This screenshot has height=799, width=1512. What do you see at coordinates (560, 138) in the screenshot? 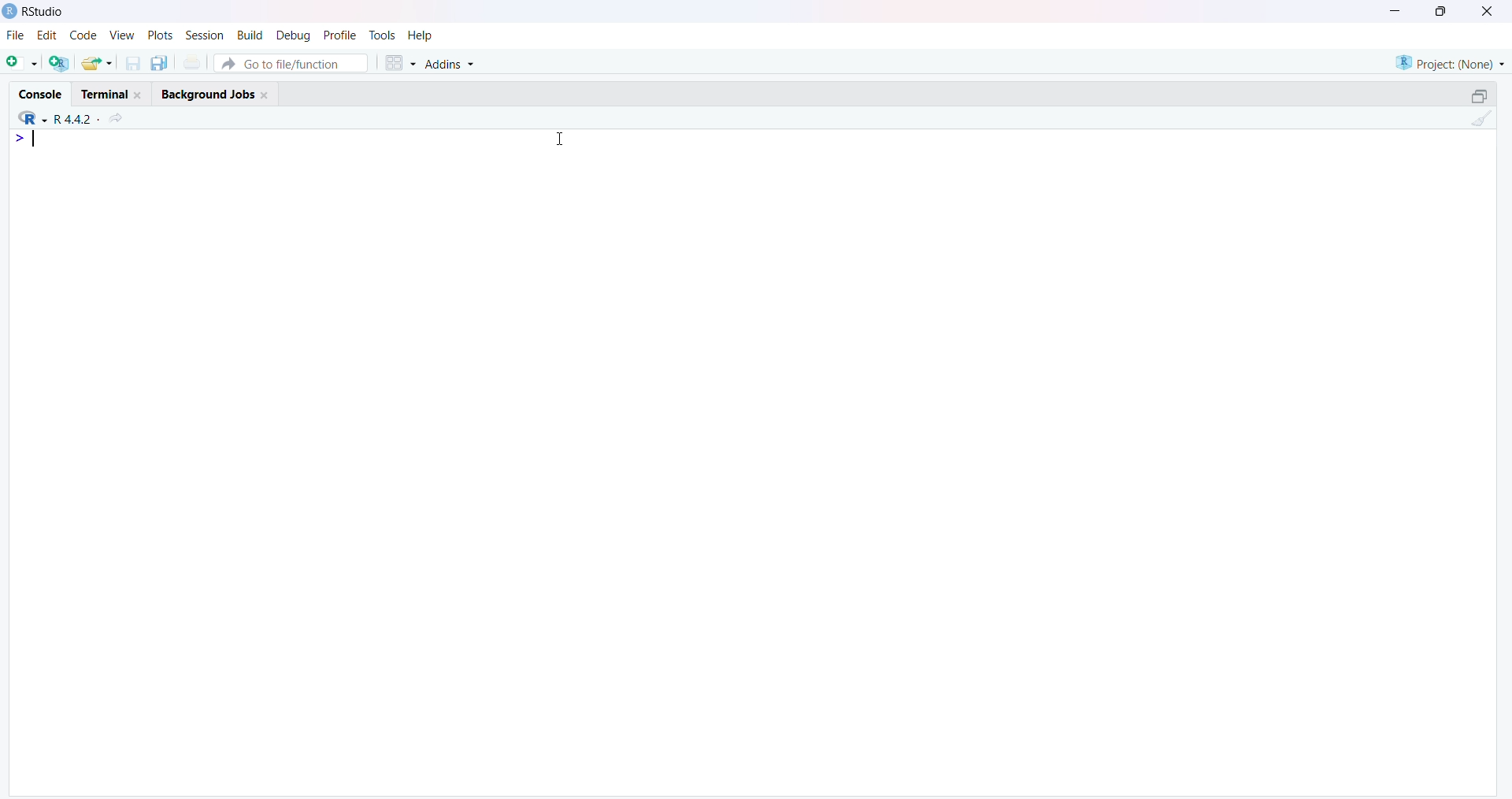
I see `Cursor` at bounding box center [560, 138].